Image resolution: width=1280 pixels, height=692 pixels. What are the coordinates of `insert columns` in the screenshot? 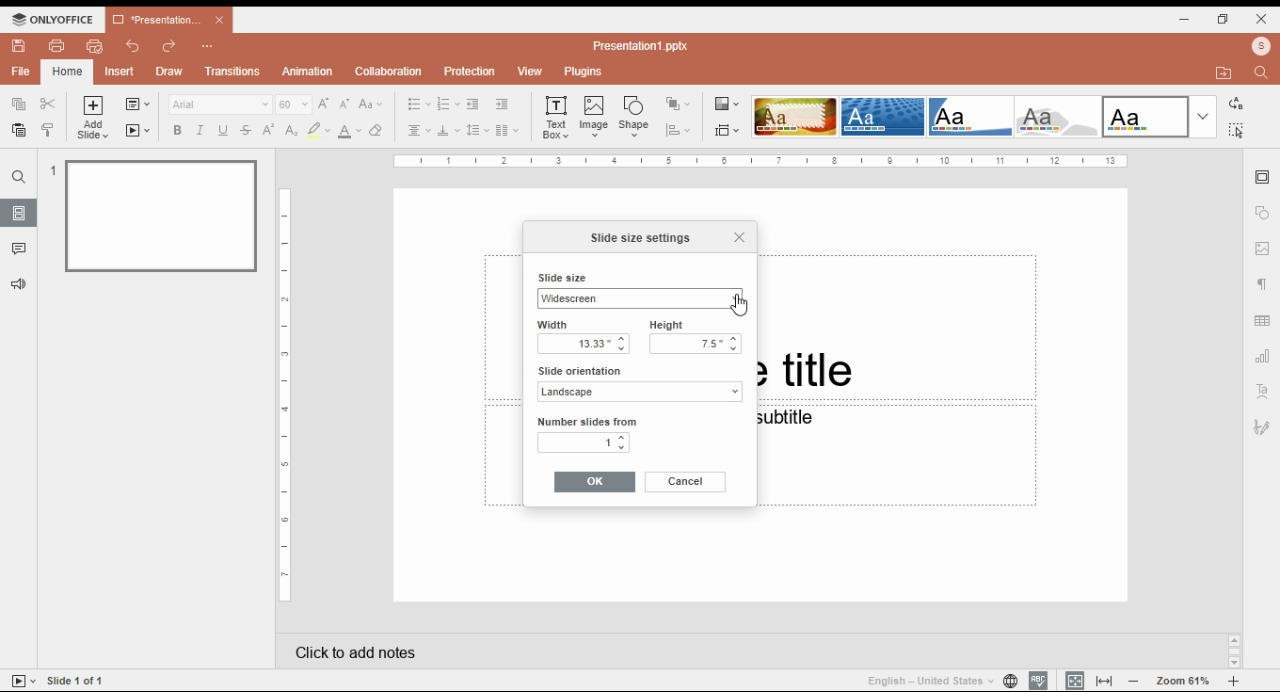 It's located at (507, 132).